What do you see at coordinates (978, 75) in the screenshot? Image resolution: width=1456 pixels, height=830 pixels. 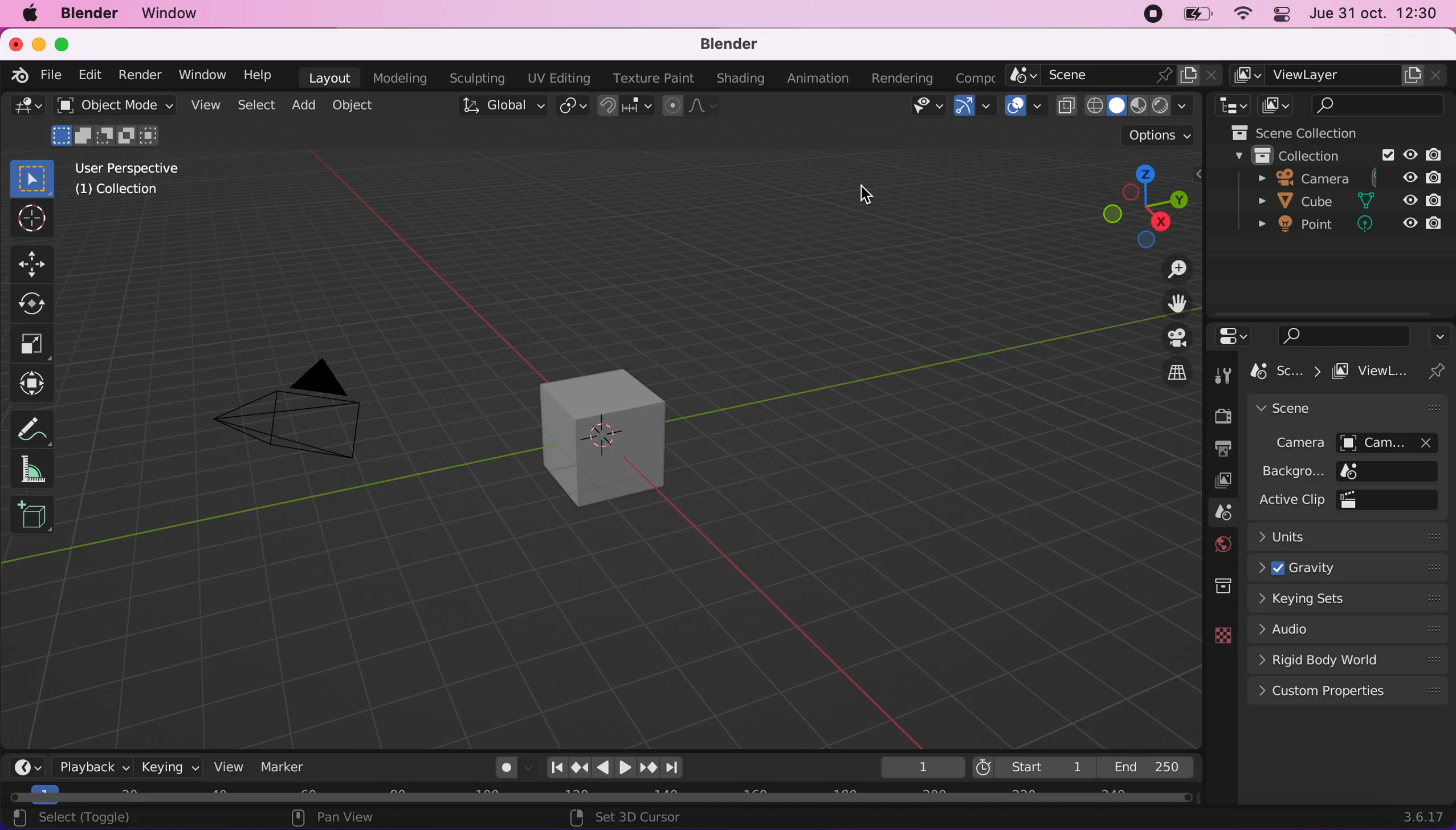 I see `active workspace` at bounding box center [978, 75].